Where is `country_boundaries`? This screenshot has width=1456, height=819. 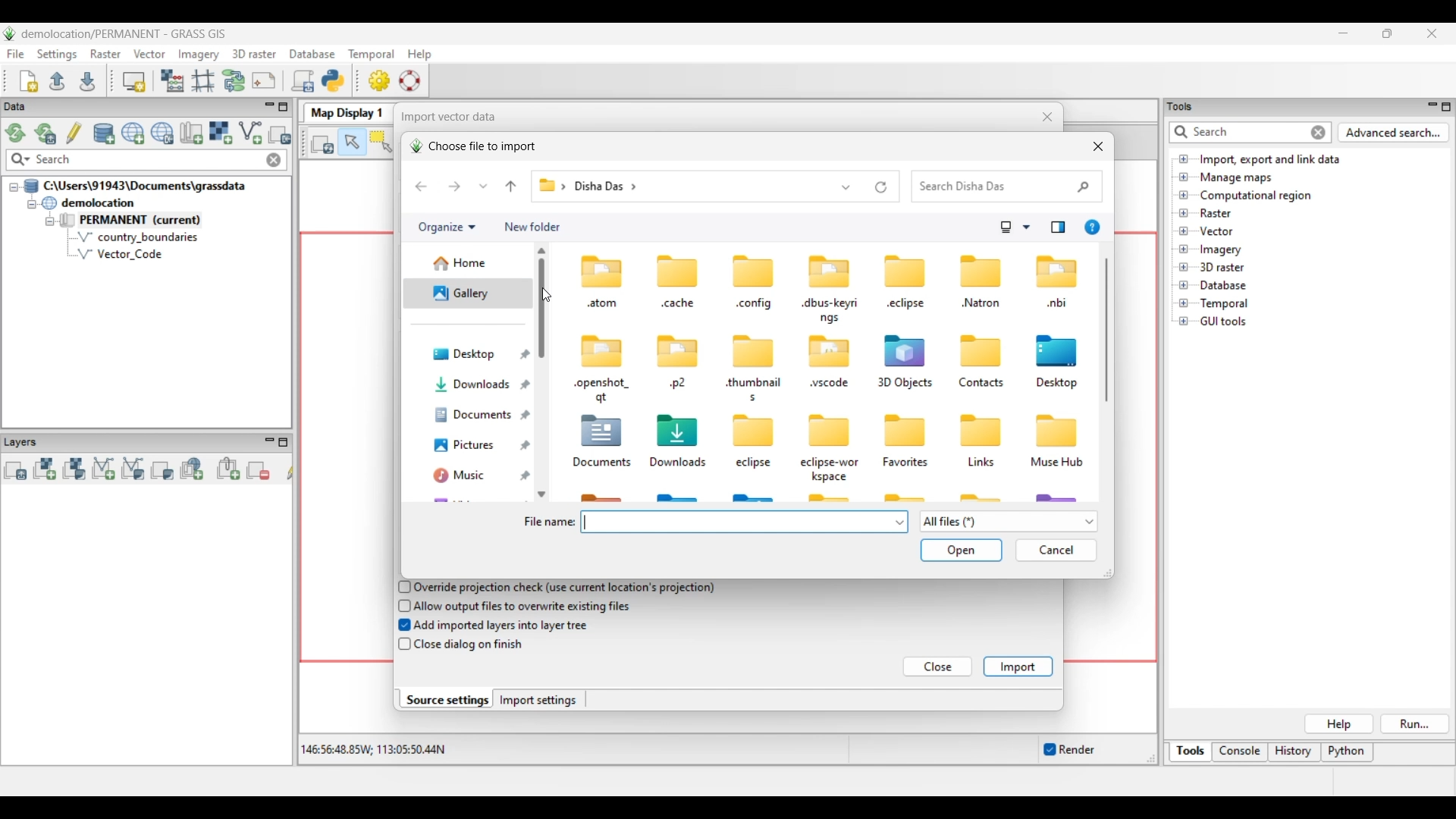 country_boundaries is located at coordinates (138, 237).